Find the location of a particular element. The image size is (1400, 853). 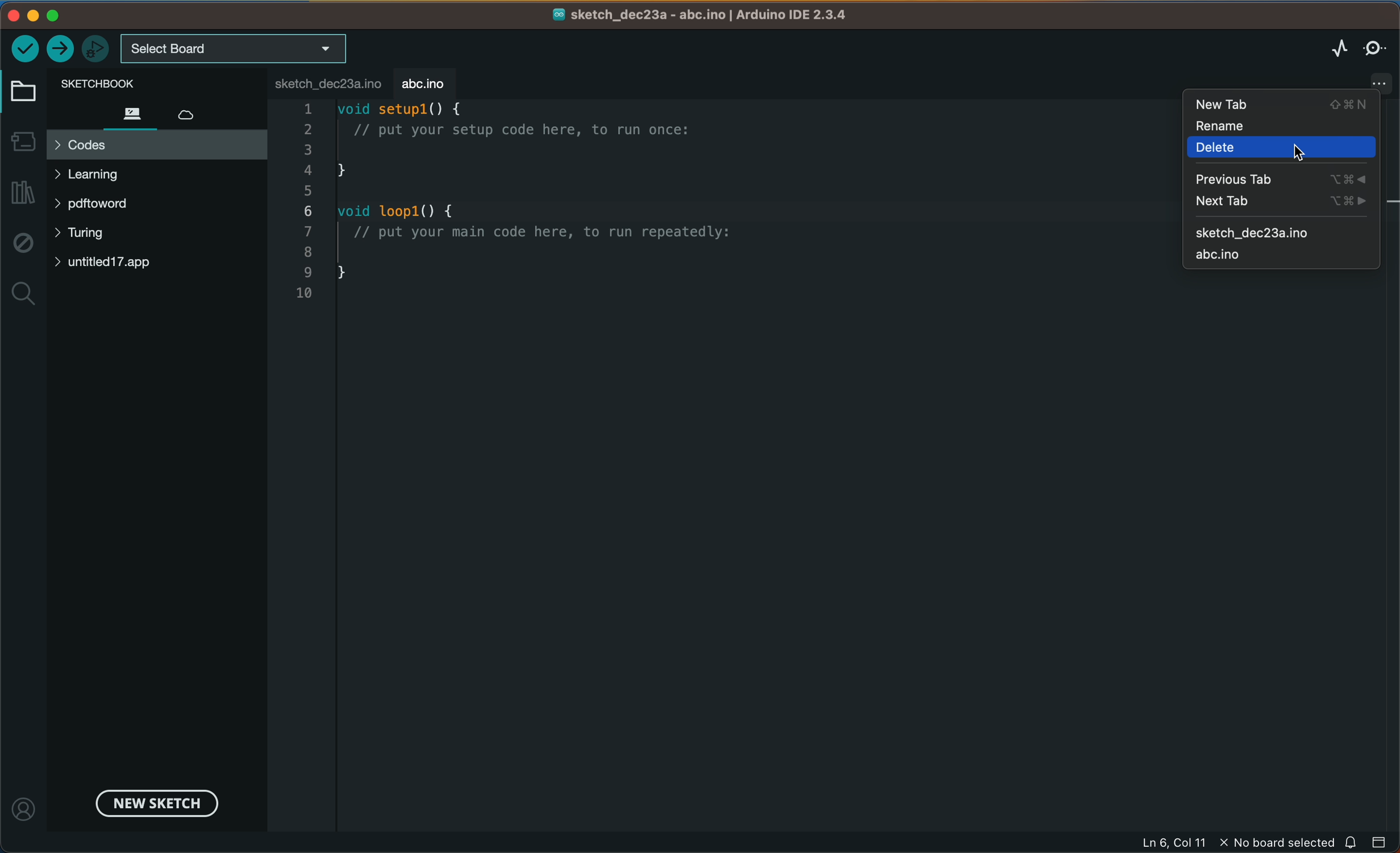

delete is located at coordinates (1282, 151).